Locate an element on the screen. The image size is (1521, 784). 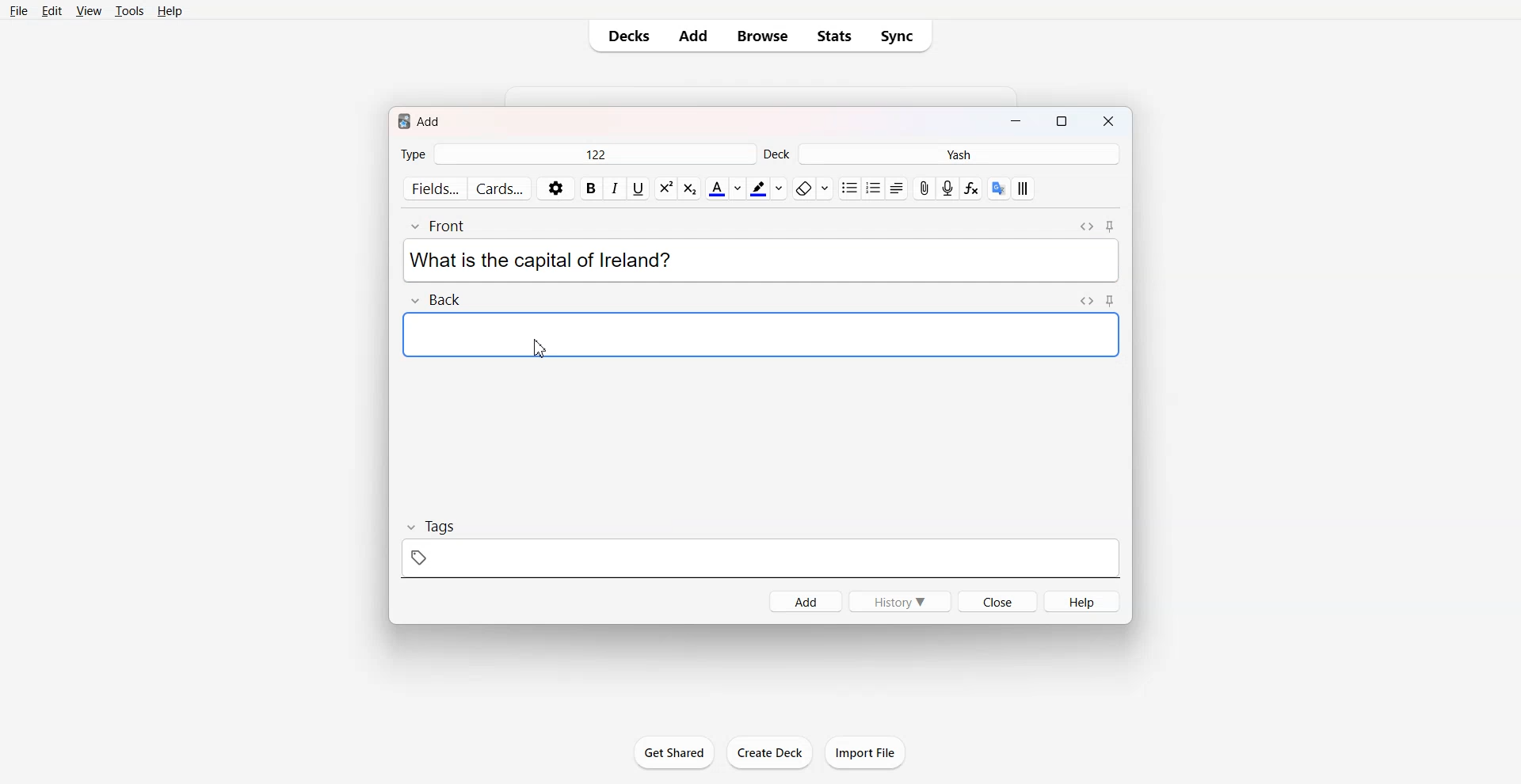
Import File is located at coordinates (866, 752).